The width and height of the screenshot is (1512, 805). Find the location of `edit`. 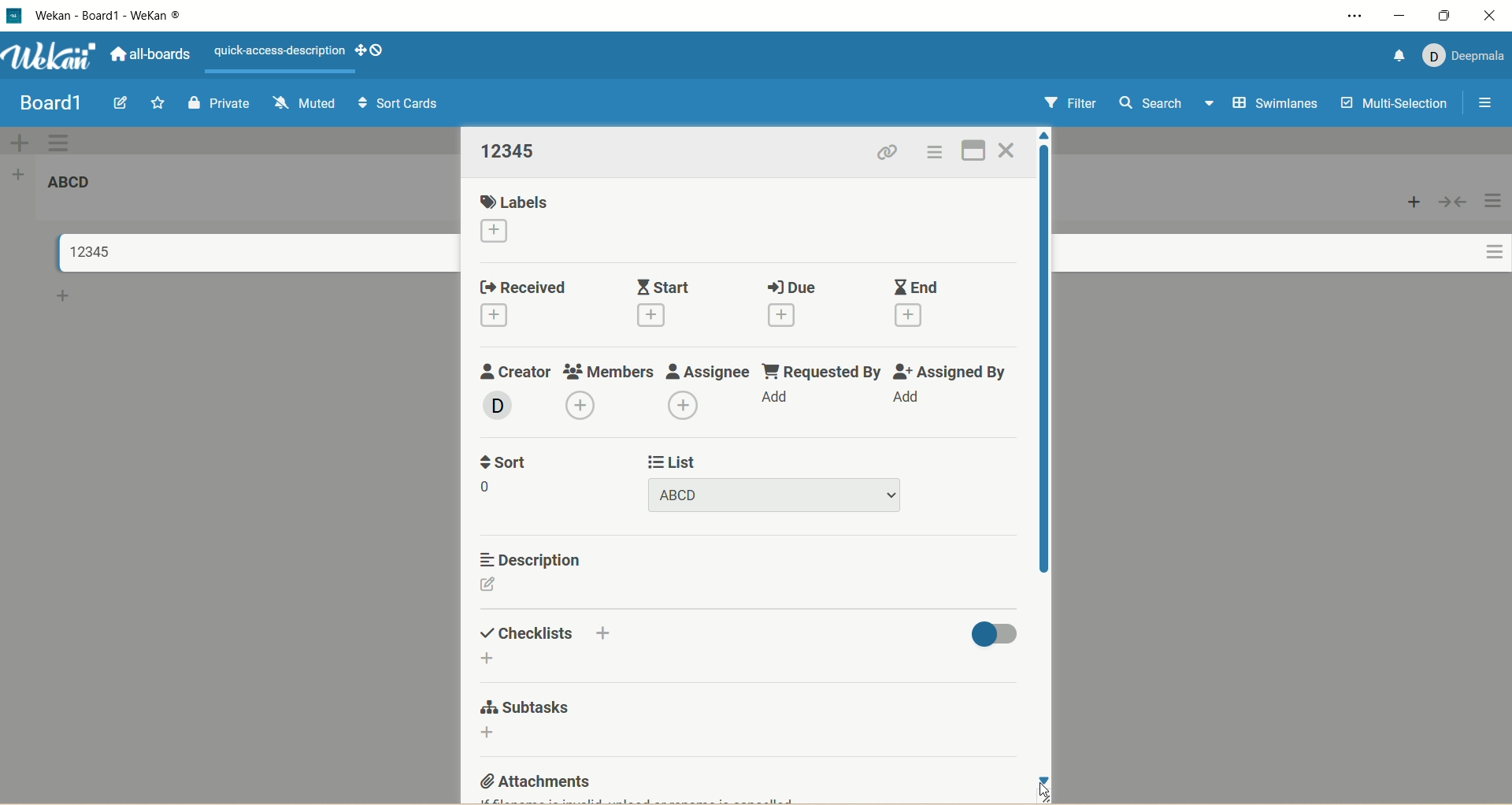

edit is located at coordinates (494, 584).